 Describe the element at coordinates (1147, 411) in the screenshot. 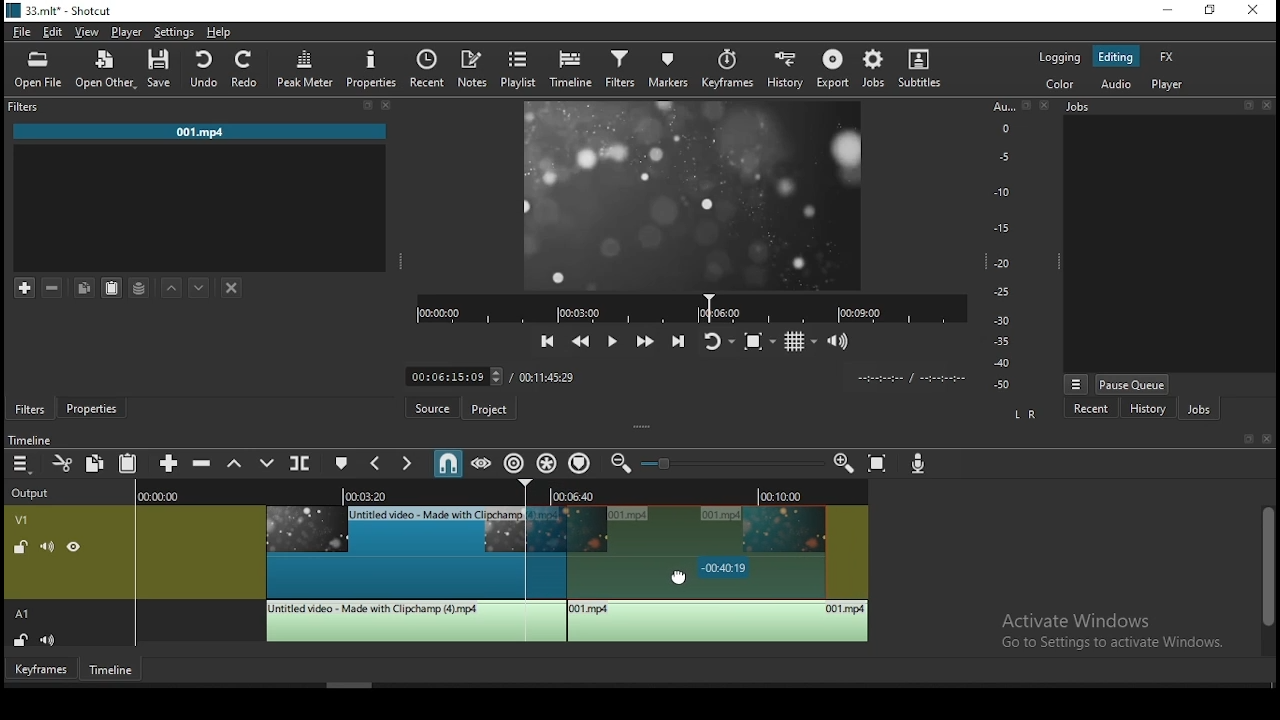

I see `history` at that location.